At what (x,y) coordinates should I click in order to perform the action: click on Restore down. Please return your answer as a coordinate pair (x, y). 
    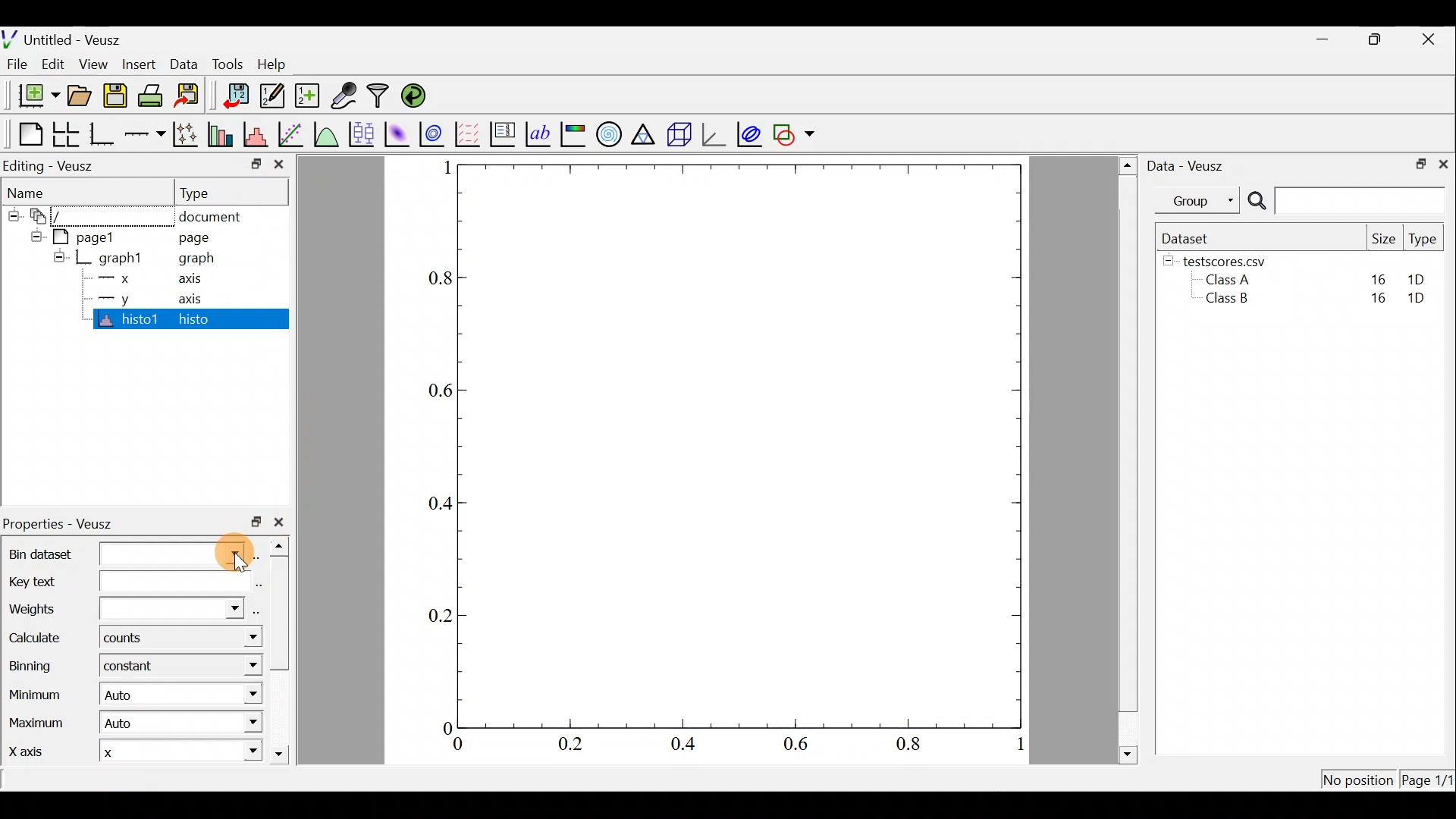
    Looking at the image, I should click on (1419, 165).